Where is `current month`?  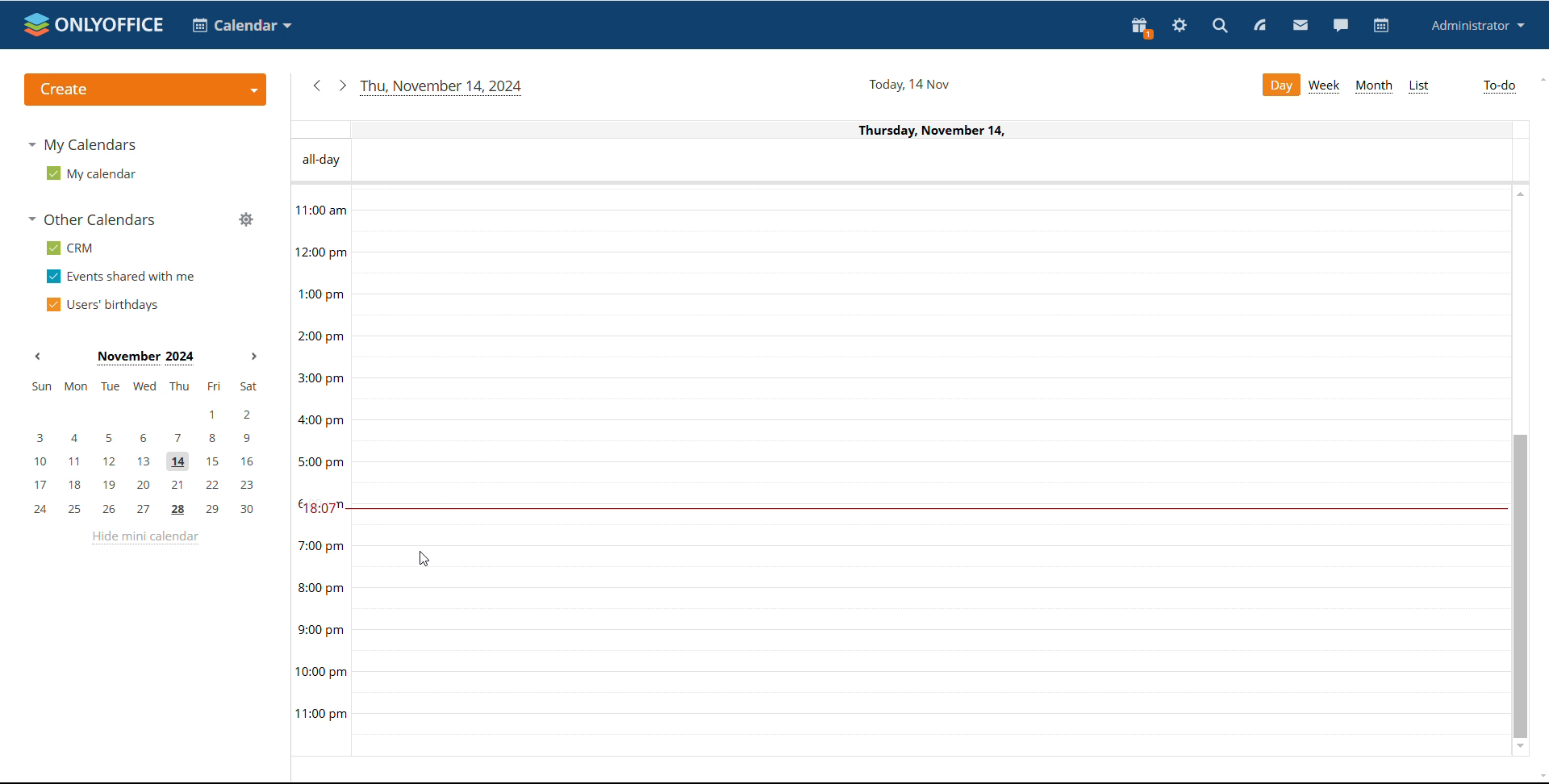 current month is located at coordinates (145, 358).